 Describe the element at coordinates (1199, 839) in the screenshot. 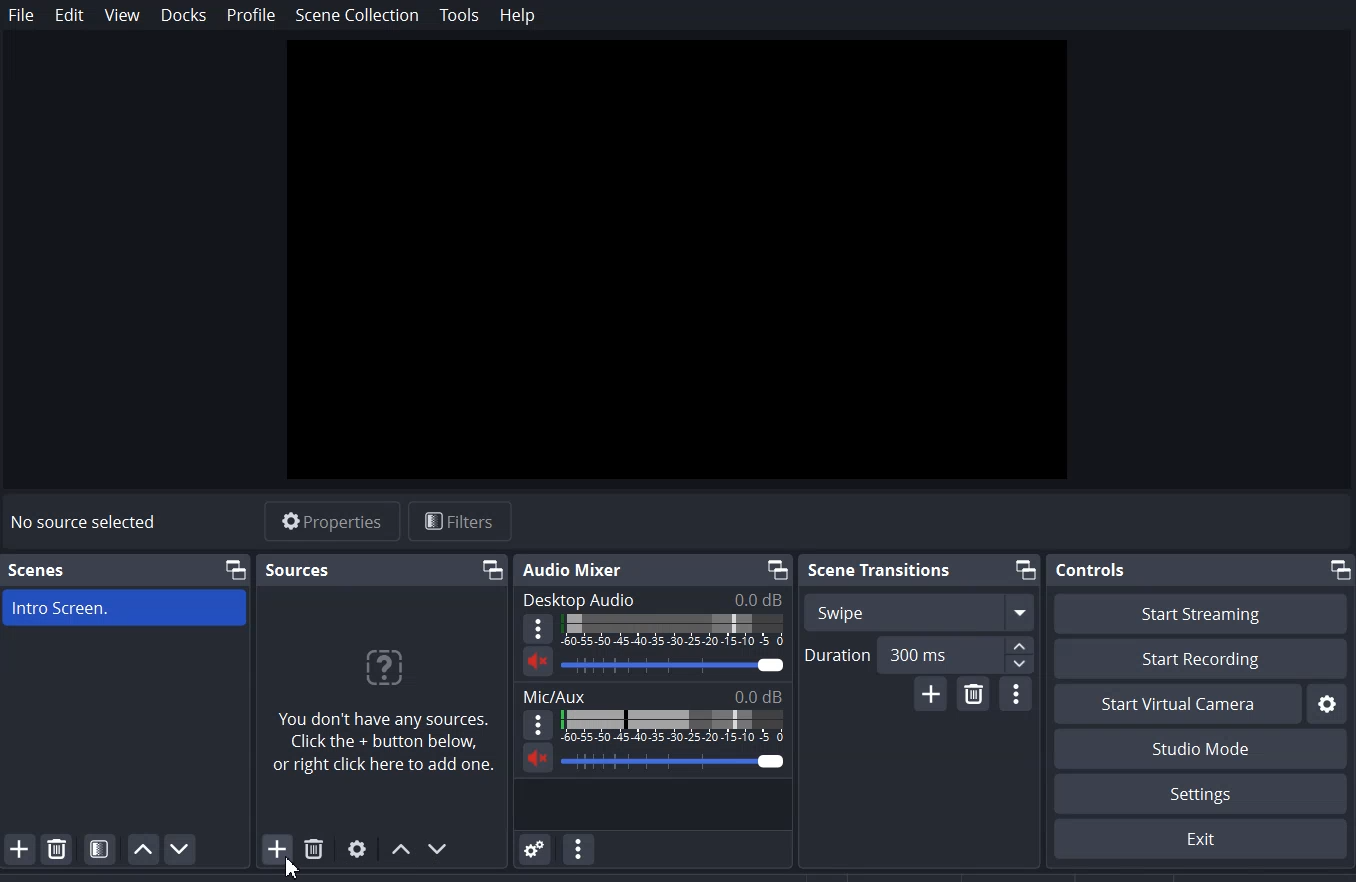

I see `Settings` at that location.